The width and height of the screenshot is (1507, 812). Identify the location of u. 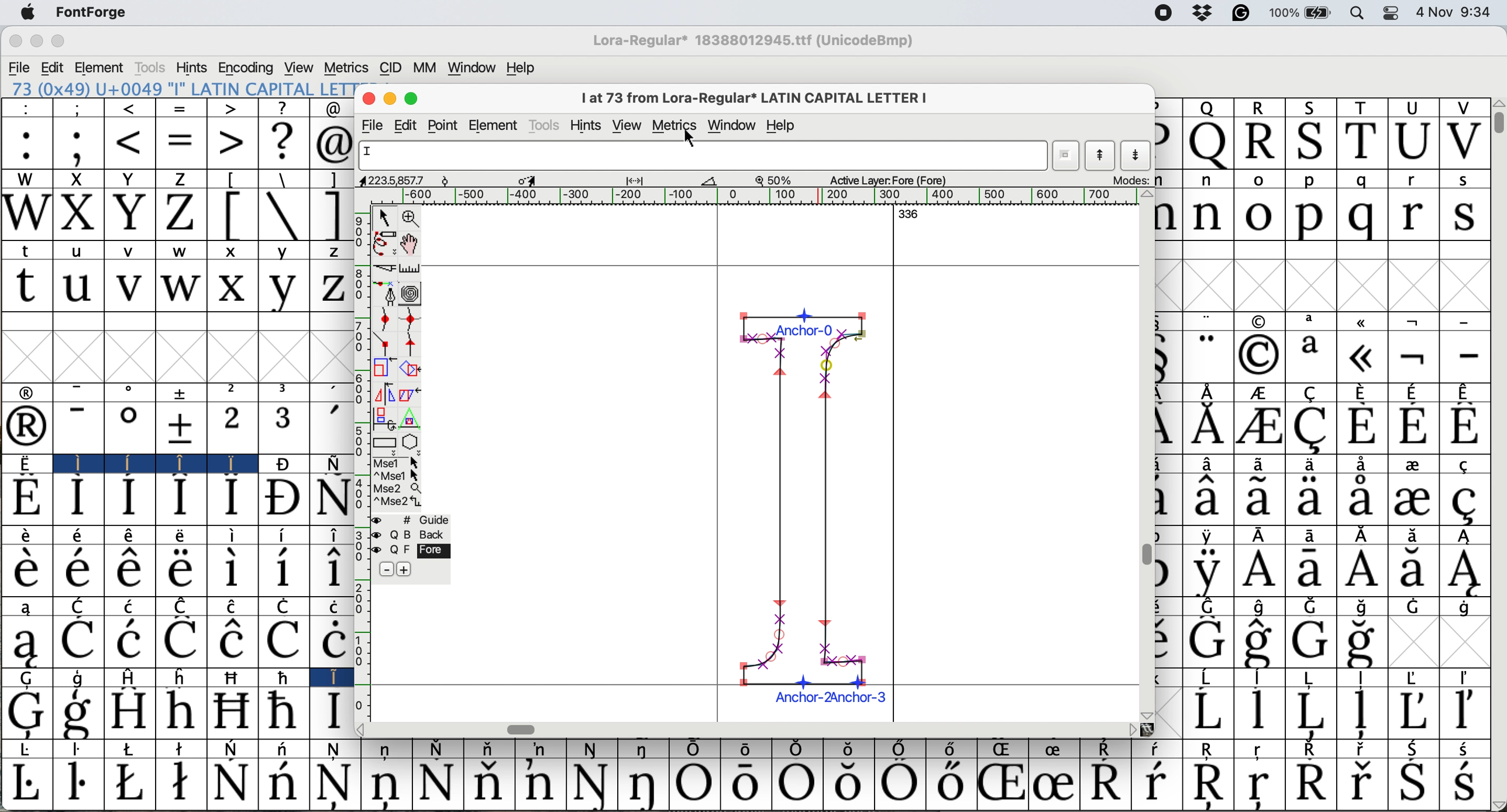
(78, 286).